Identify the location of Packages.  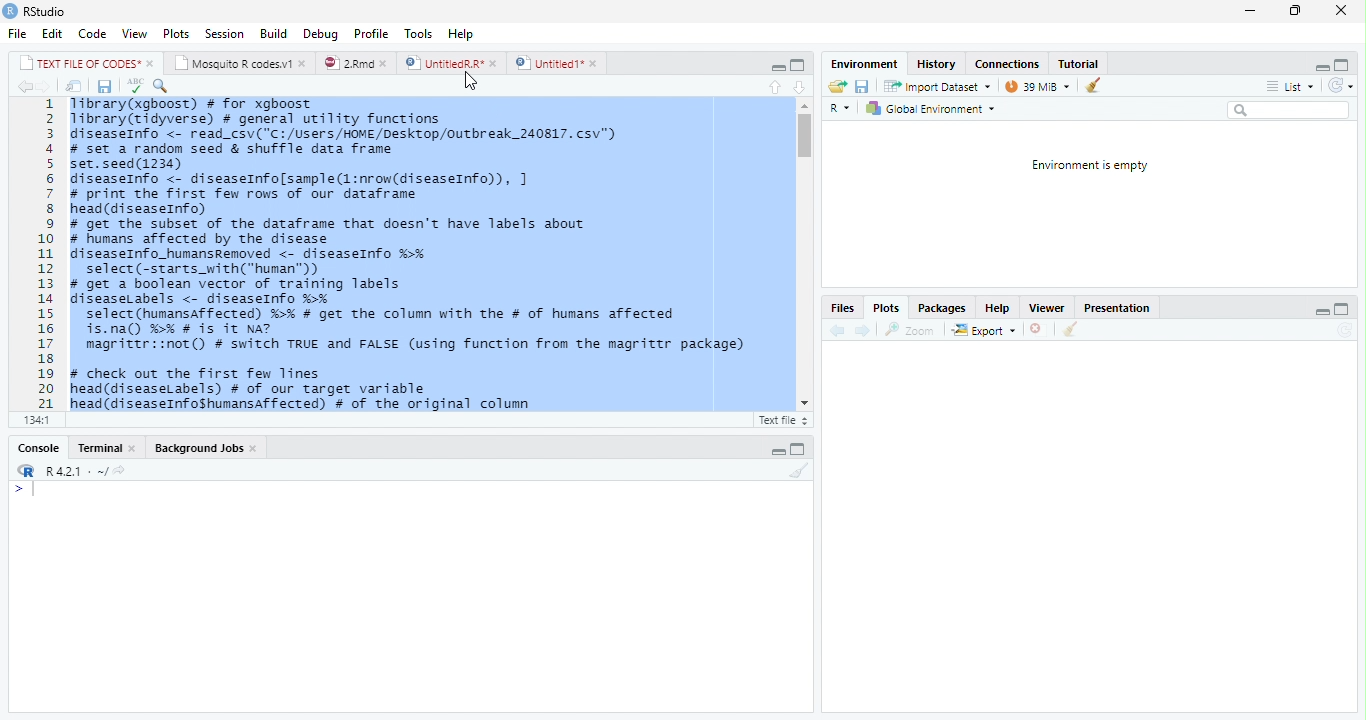
(942, 308).